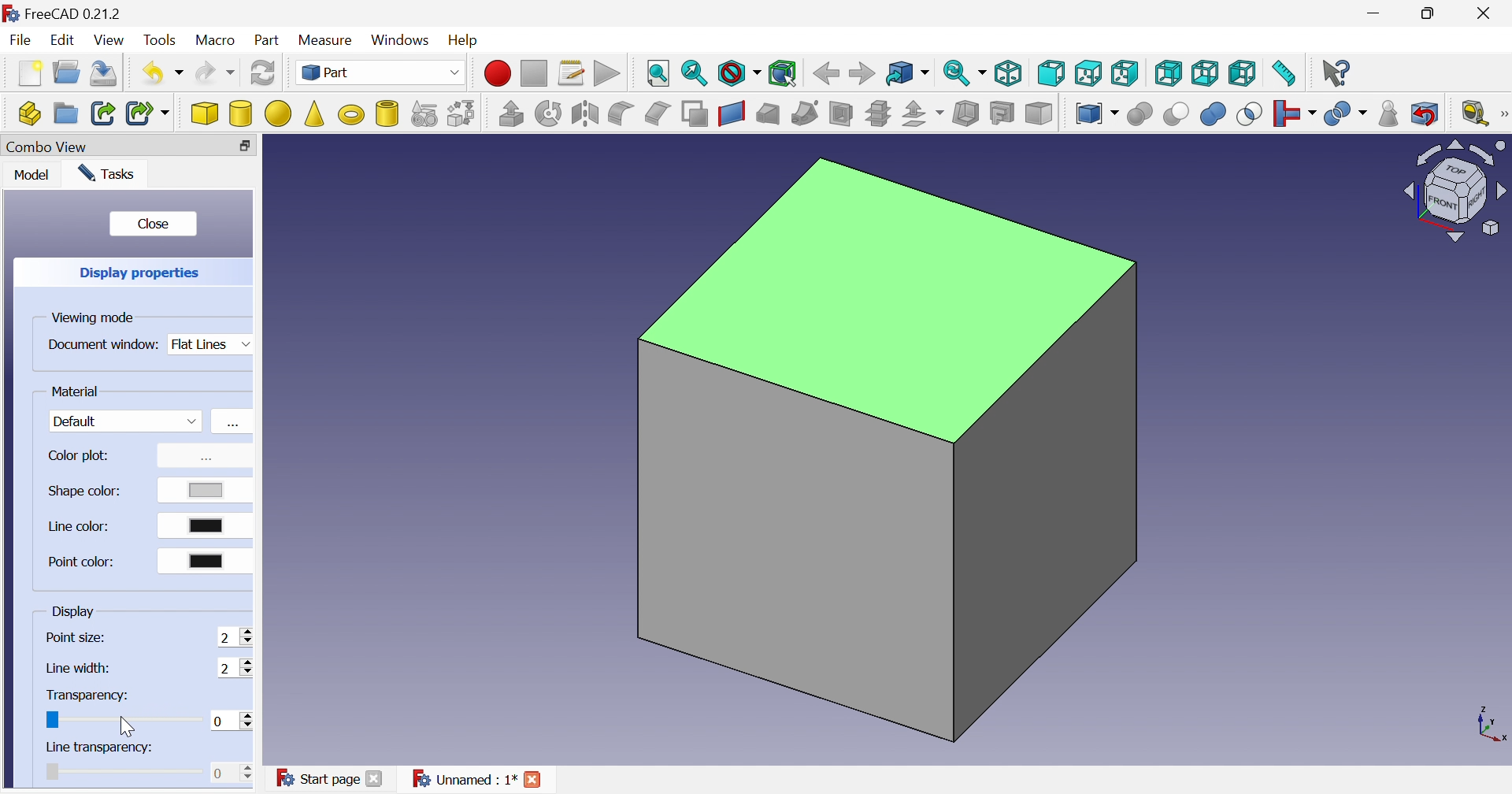 The image size is (1512, 794). What do you see at coordinates (80, 525) in the screenshot?
I see `Line color` at bounding box center [80, 525].